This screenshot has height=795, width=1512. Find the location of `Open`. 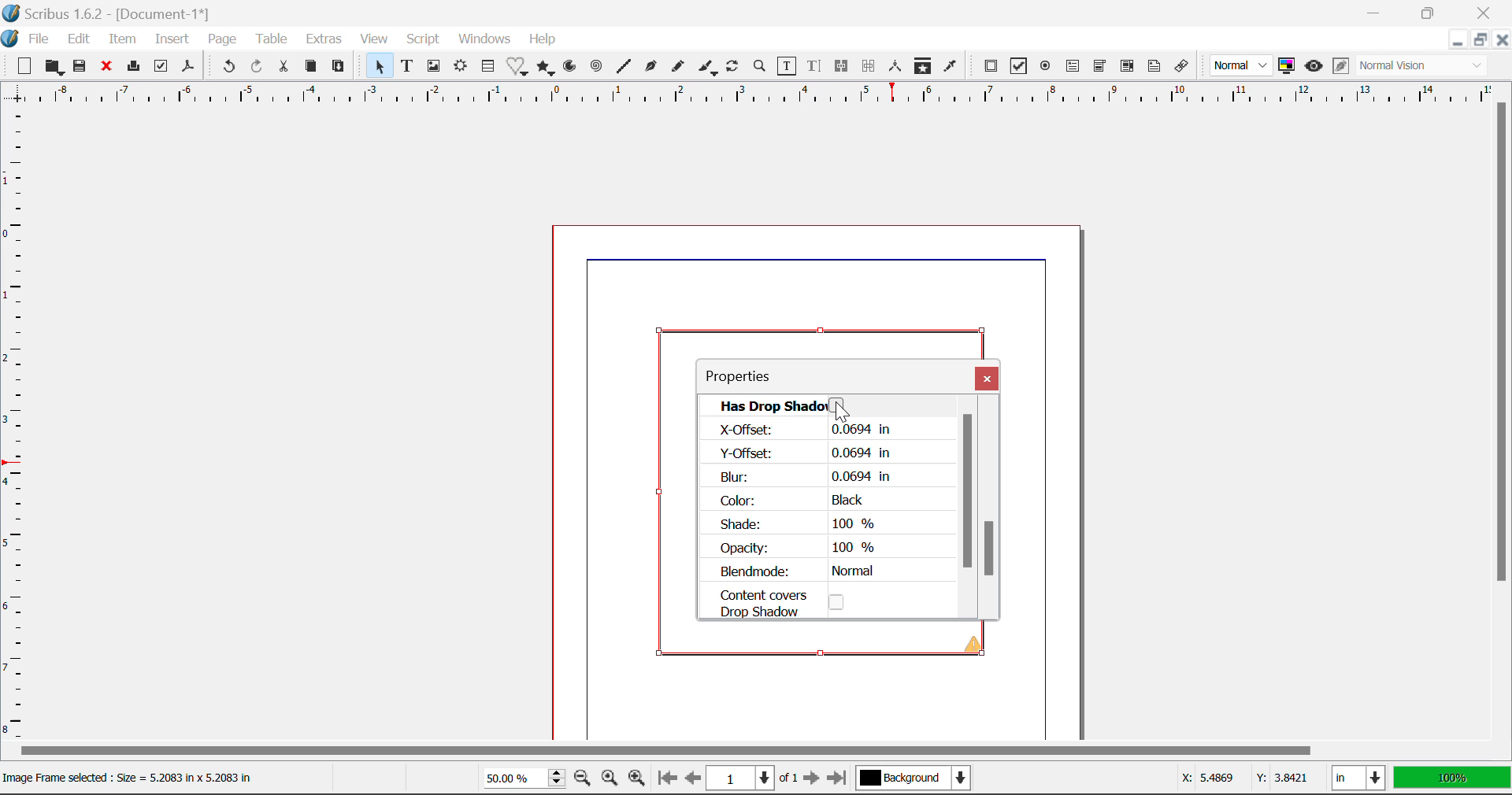

Open is located at coordinates (53, 67).